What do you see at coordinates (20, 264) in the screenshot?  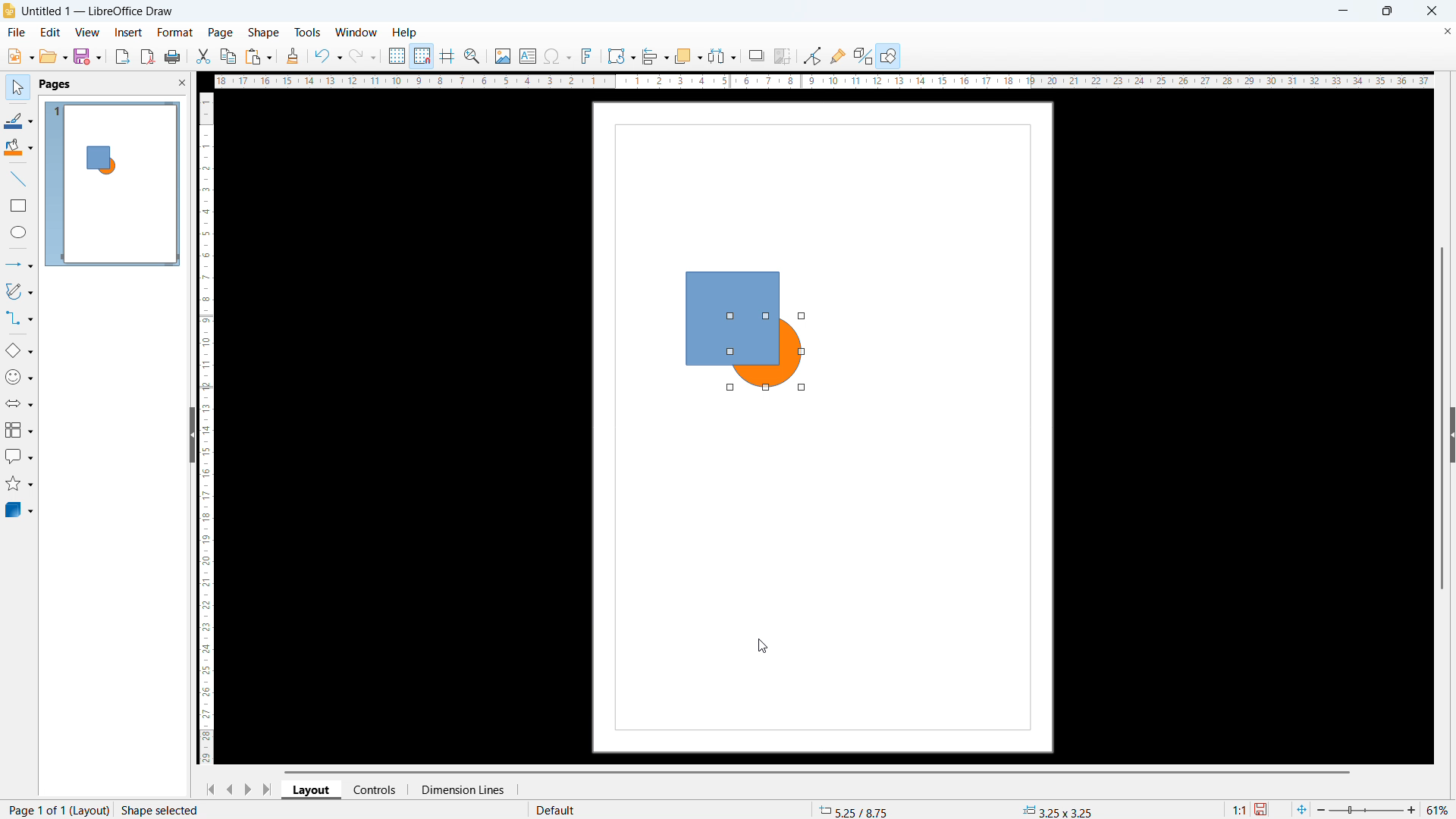 I see `Line and arrows ` at bounding box center [20, 264].